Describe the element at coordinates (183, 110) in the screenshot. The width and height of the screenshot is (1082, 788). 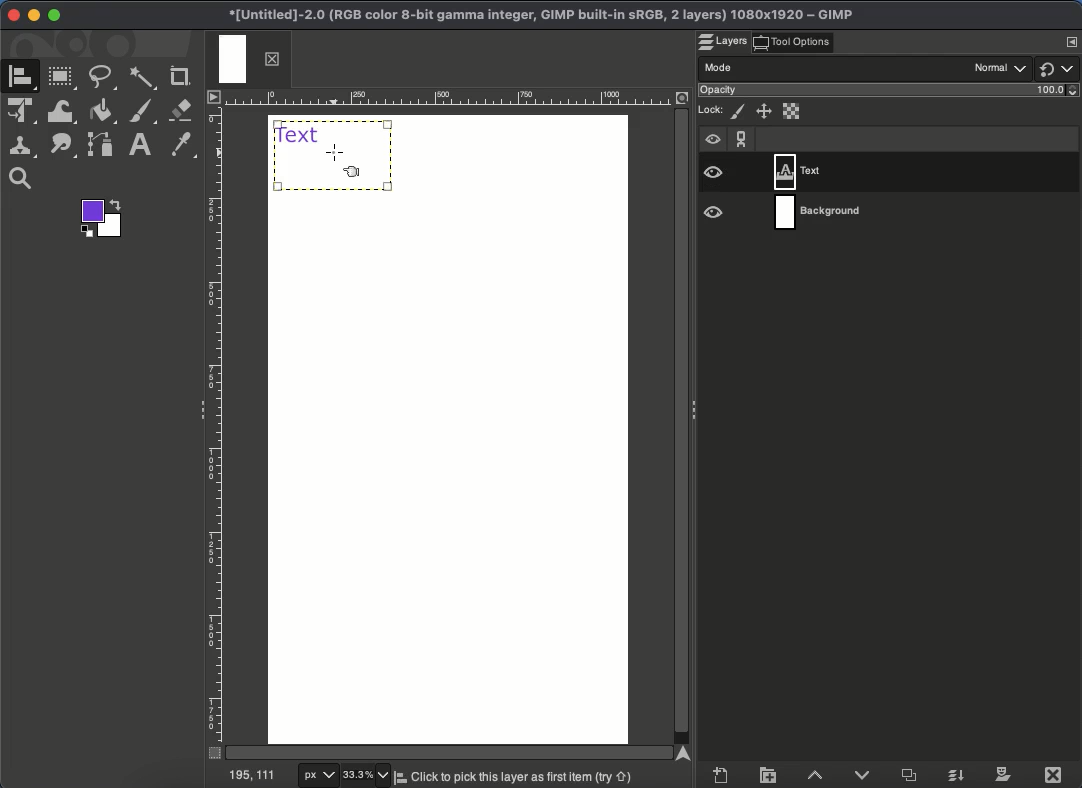
I see `Erase` at that location.